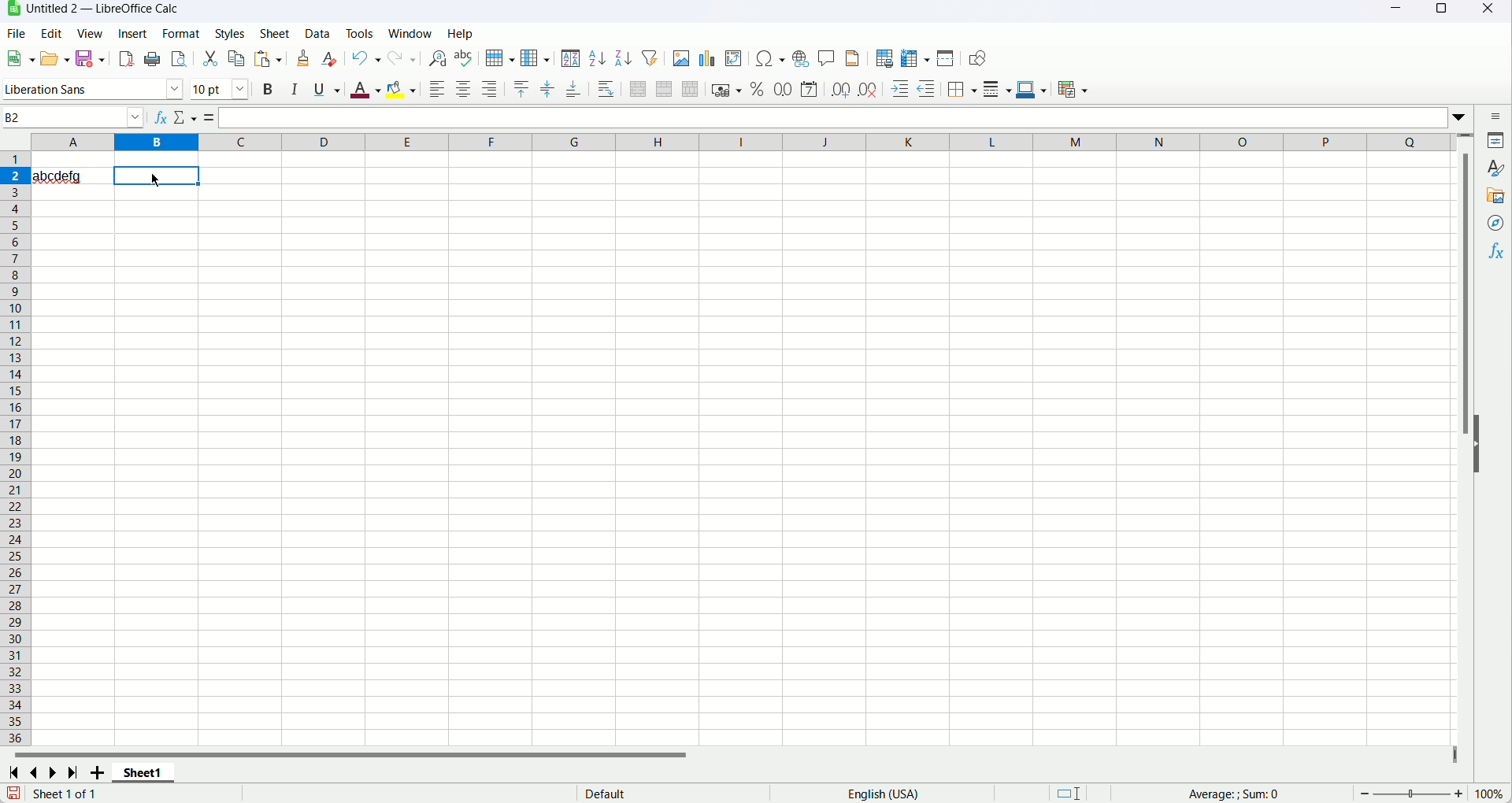 The height and width of the screenshot is (803, 1512). Describe the element at coordinates (463, 88) in the screenshot. I see `align center` at that location.